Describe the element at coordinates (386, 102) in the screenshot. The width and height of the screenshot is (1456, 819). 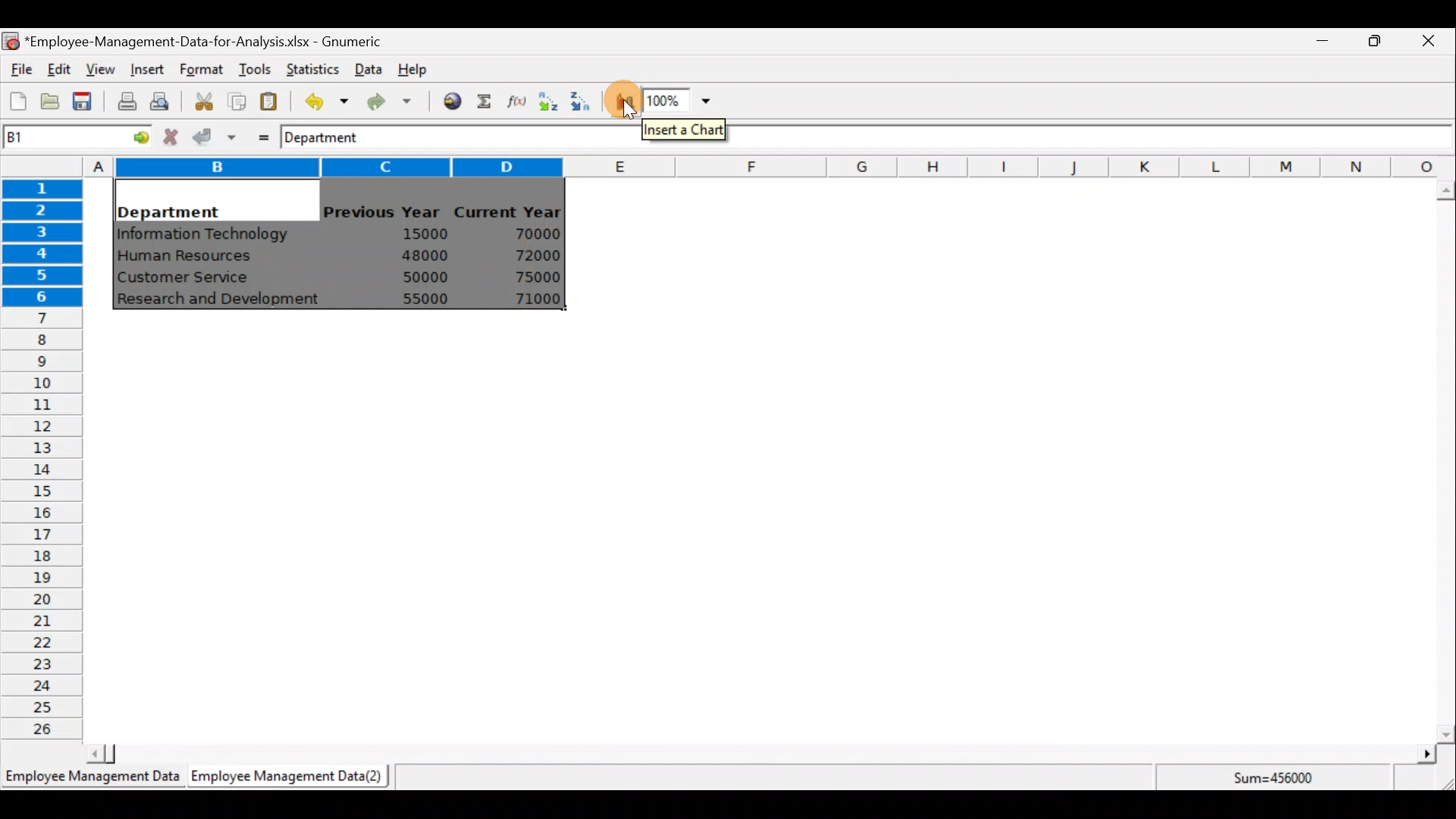
I see `Redo undone action` at that location.